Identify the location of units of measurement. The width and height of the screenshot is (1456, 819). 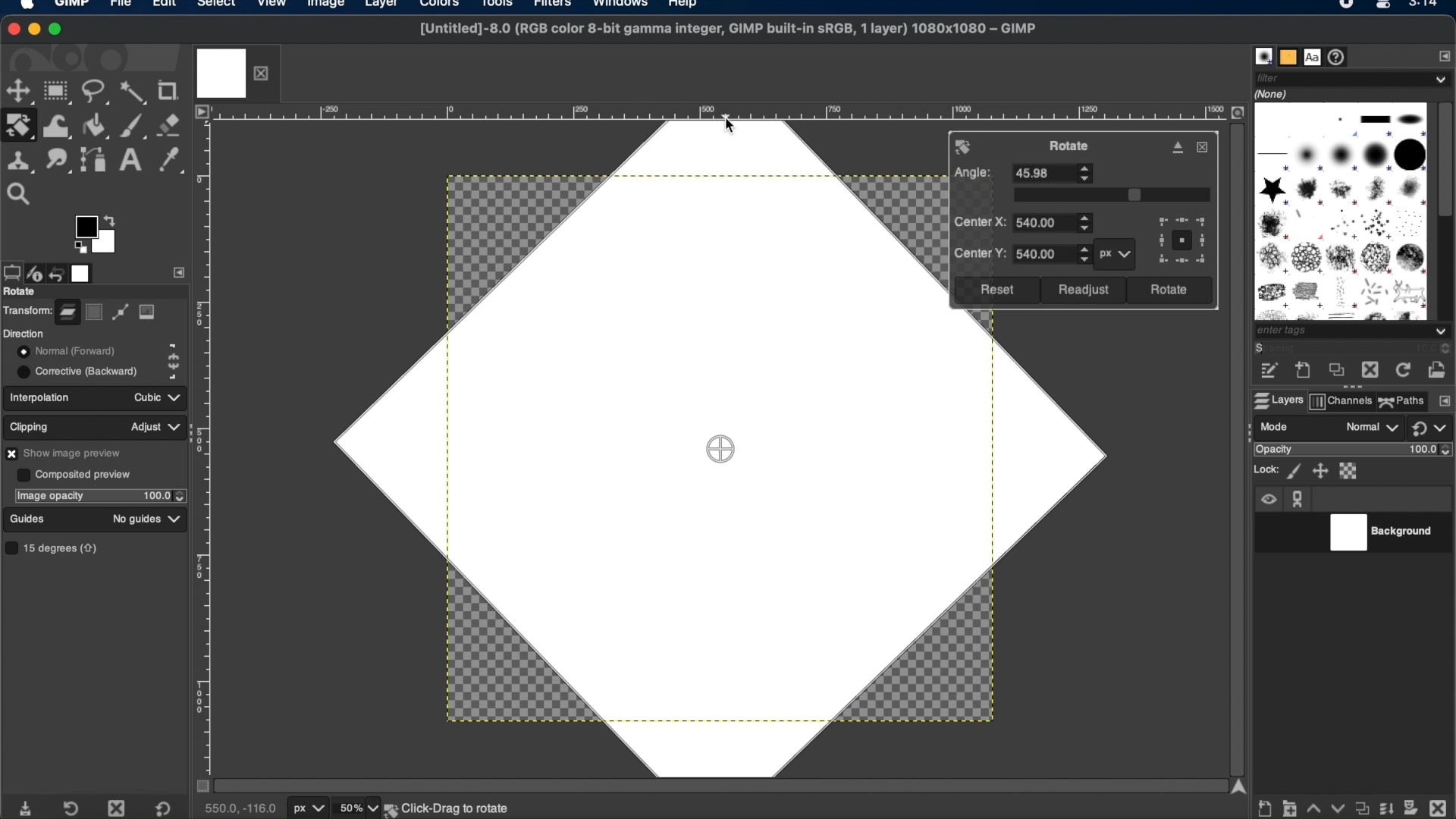
(310, 809).